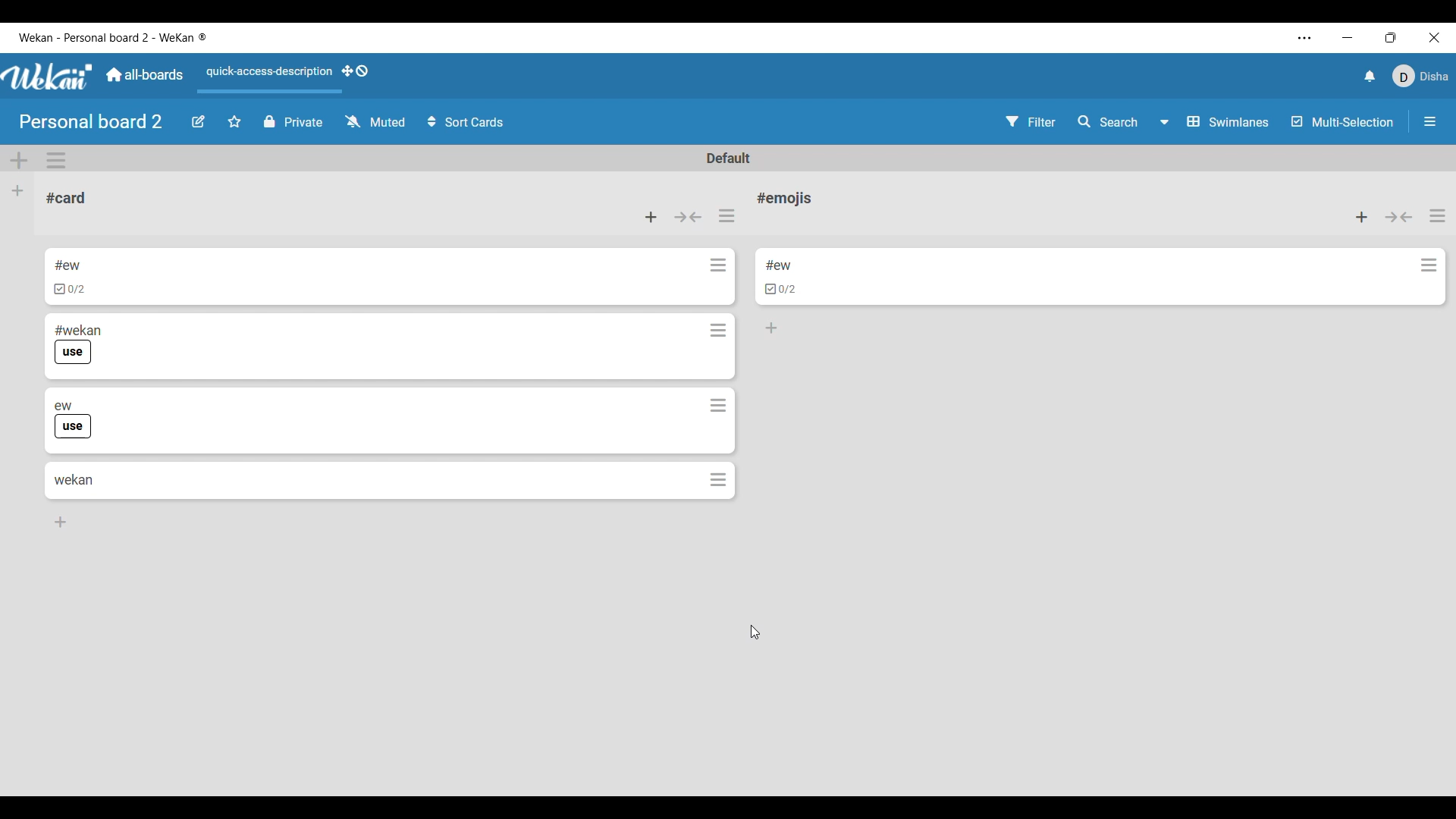  Describe the element at coordinates (1370, 76) in the screenshot. I see `Notifications ` at that location.